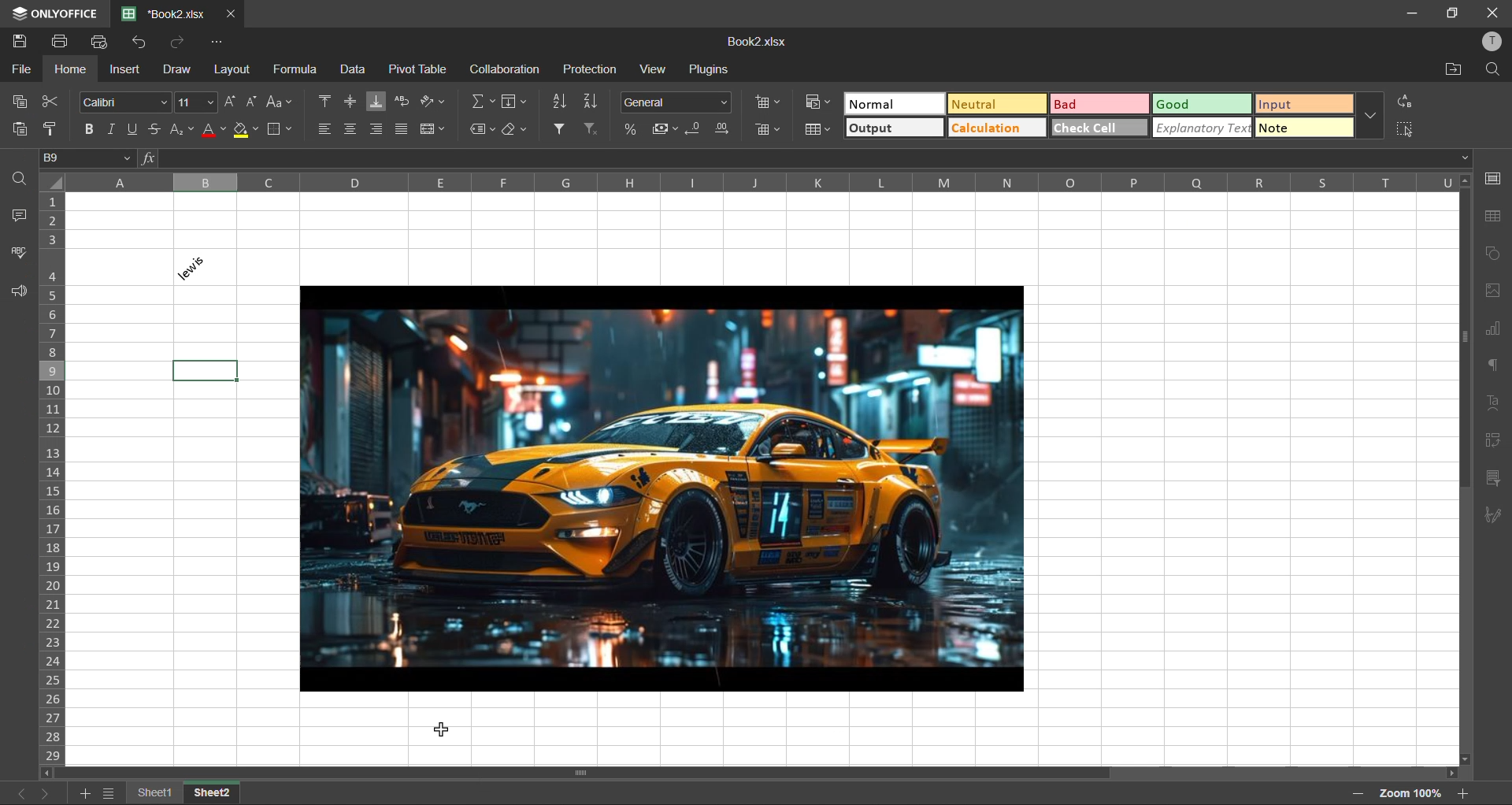 The width and height of the screenshot is (1512, 805). I want to click on scroll bar, so click(1466, 337).